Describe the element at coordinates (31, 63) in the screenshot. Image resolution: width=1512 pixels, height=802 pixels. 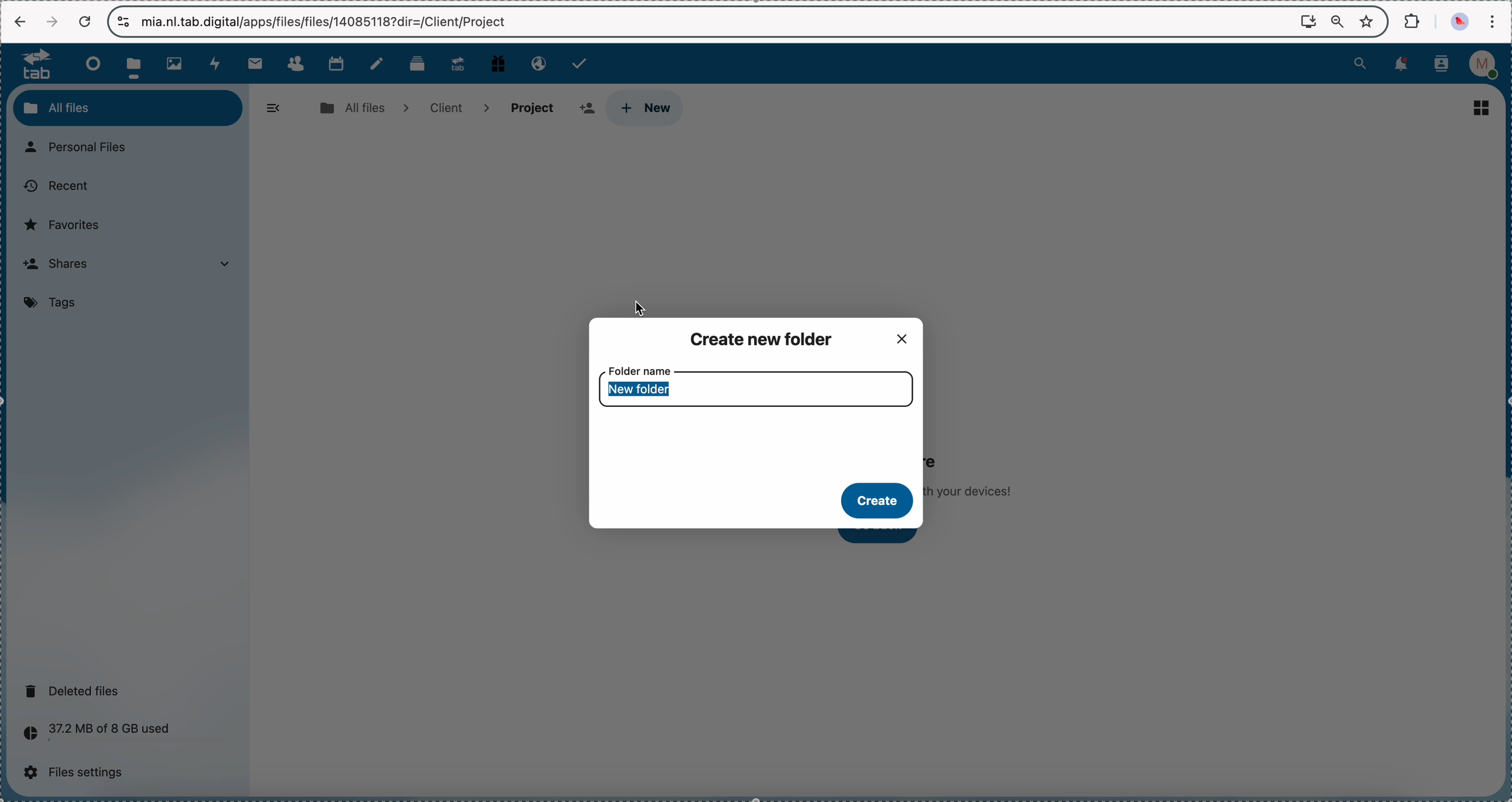
I see `tab` at that location.